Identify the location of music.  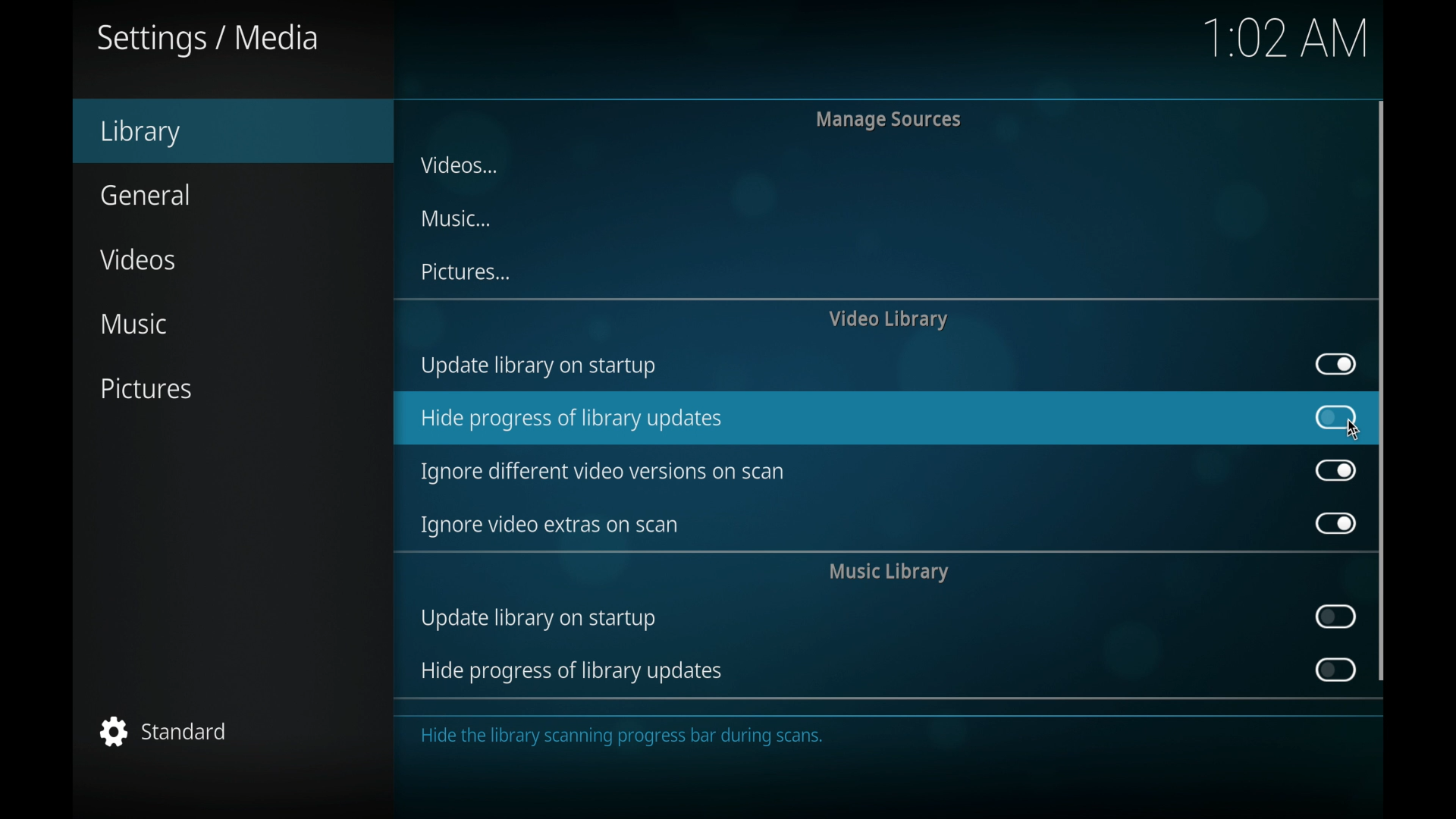
(457, 219).